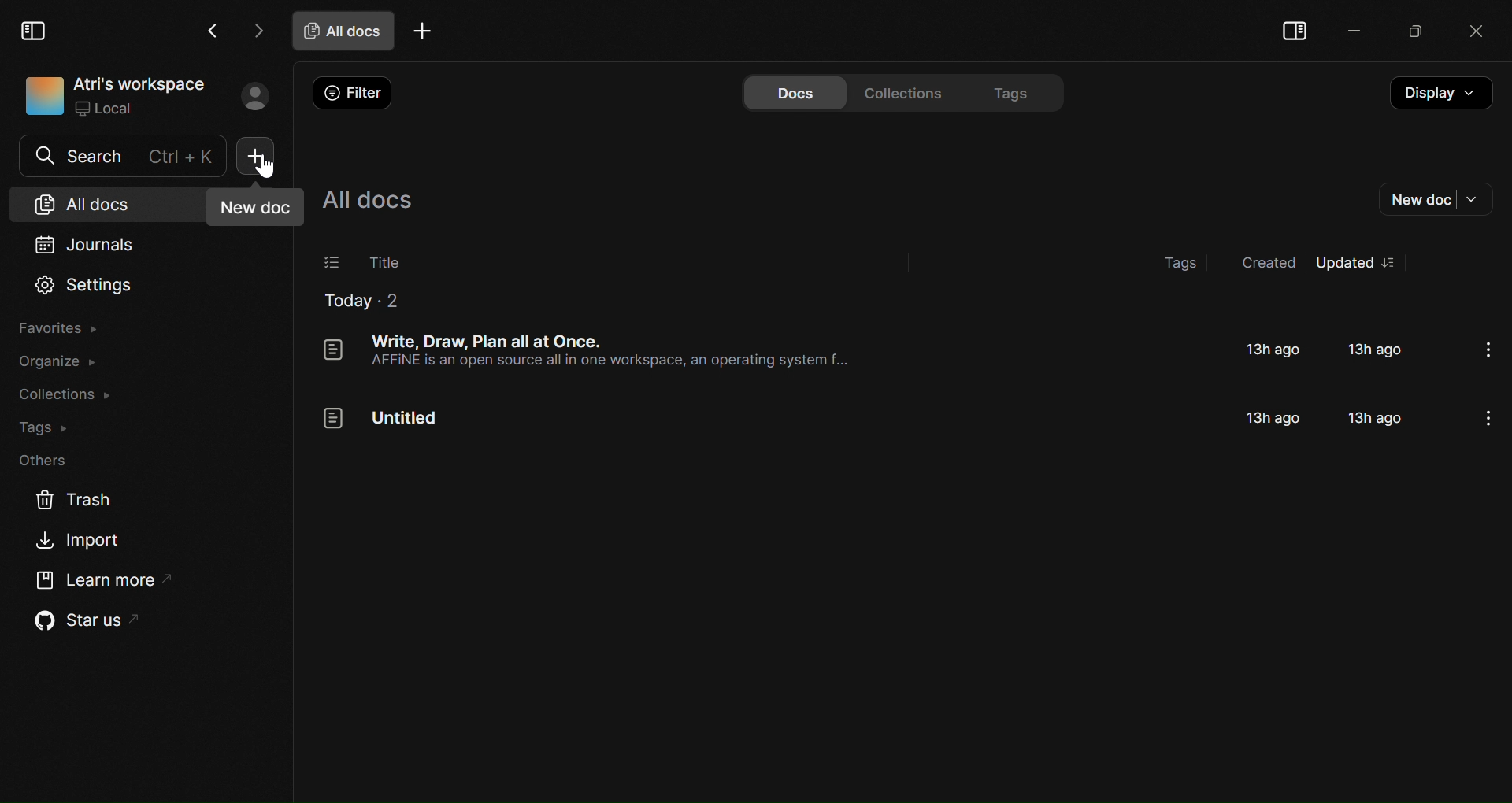 Image resolution: width=1512 pixels, height=803 pixels. Describe the element at coordinates (1378, 349) in the screenshot. I see `13h ago` at that location.